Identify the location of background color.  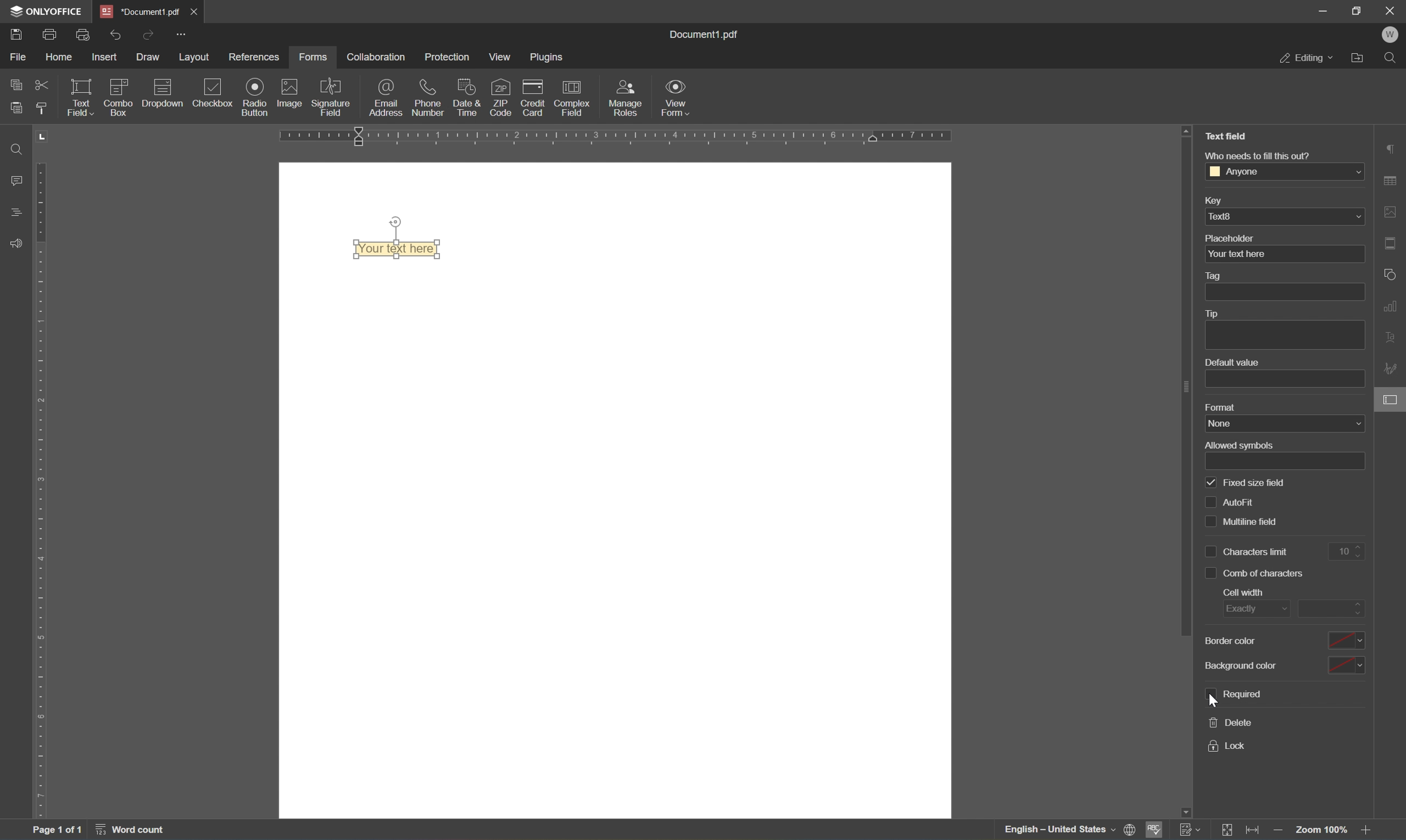
(1287, 666).